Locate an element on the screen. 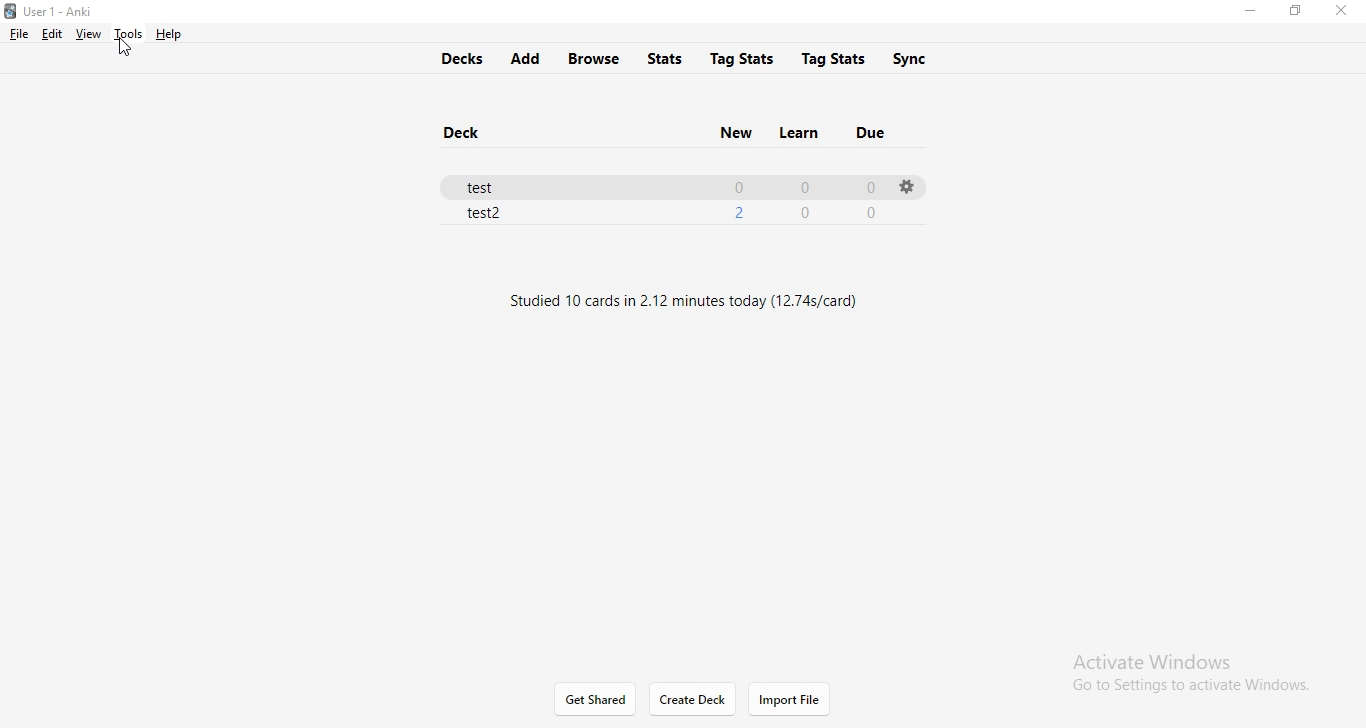   is located at coordinates (908, 187).